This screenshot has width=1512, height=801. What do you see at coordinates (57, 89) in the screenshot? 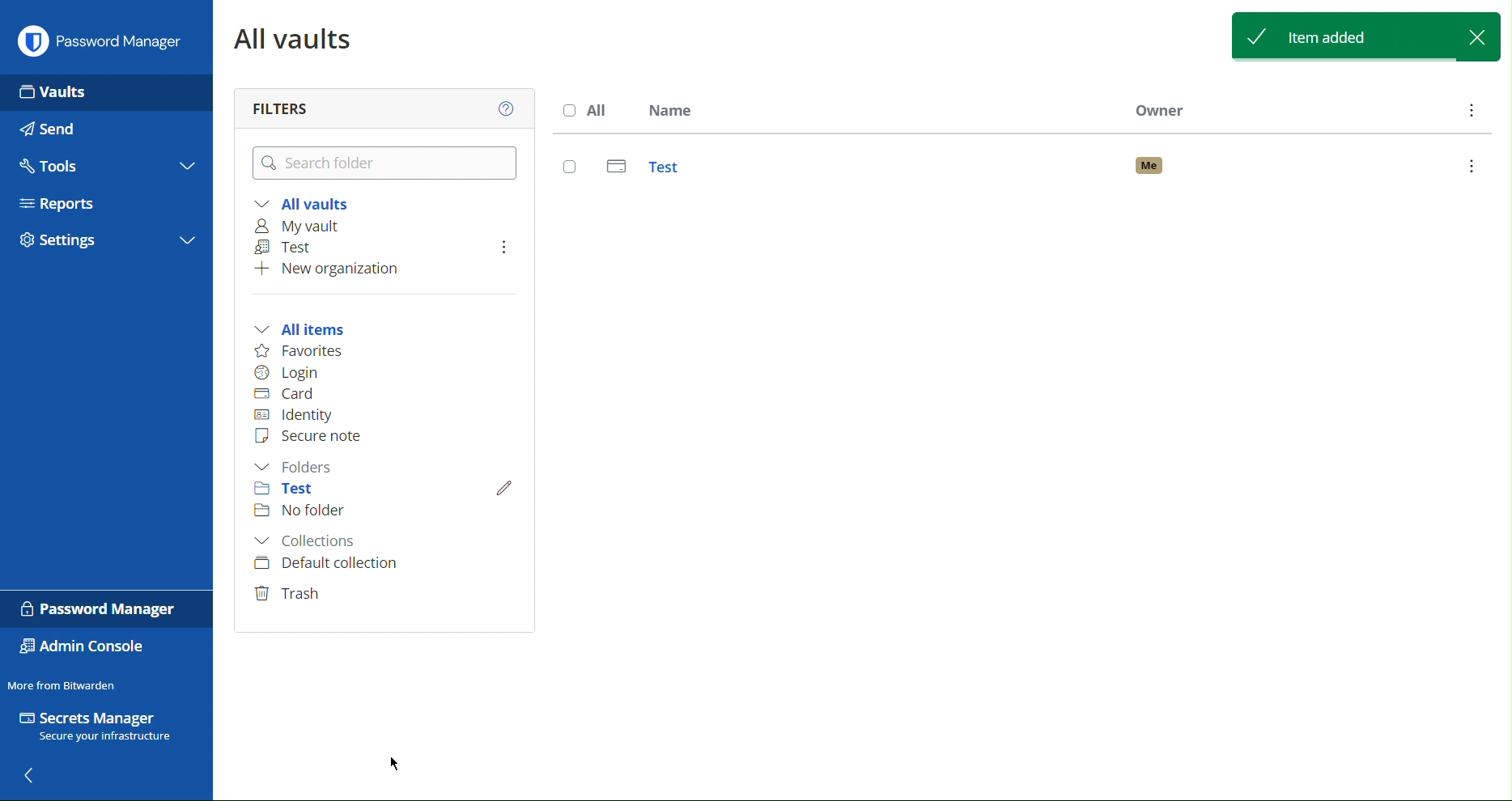
I see `Vaults` at bounding box center [57, 89].